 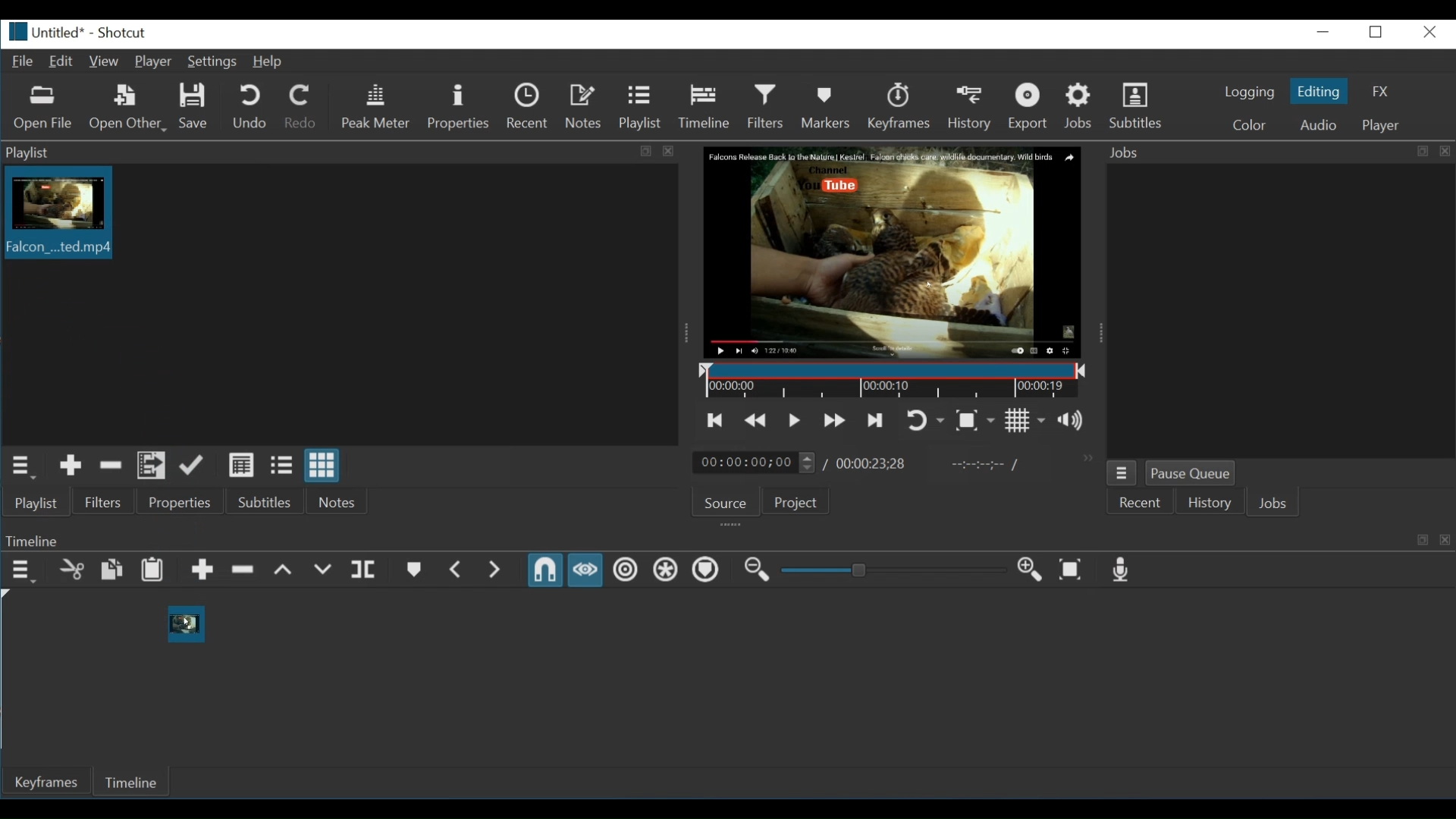 I want to click on Subtitles, so click(x=271, y=500).